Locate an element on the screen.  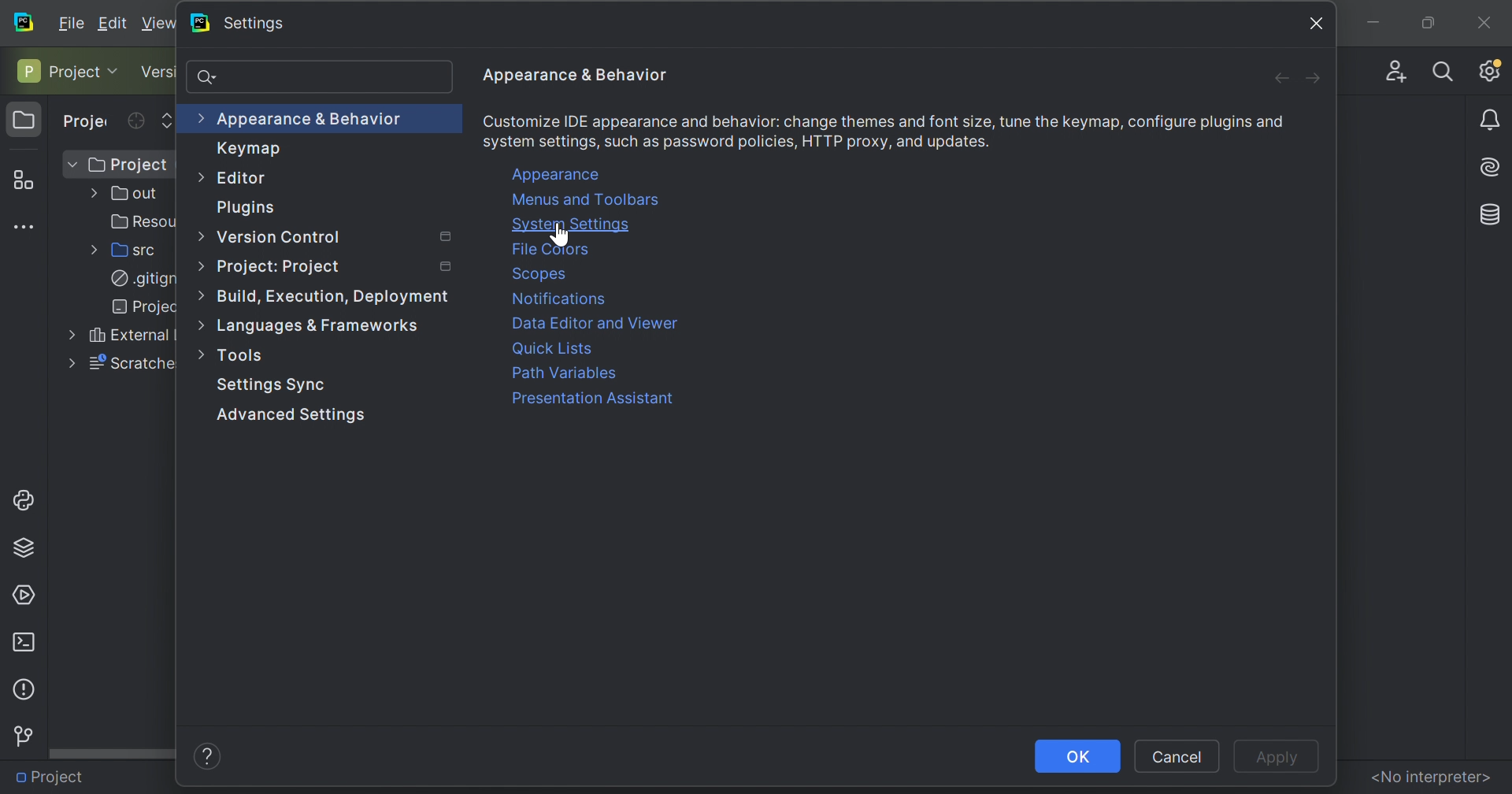
src is located at coordinates (130, 250).